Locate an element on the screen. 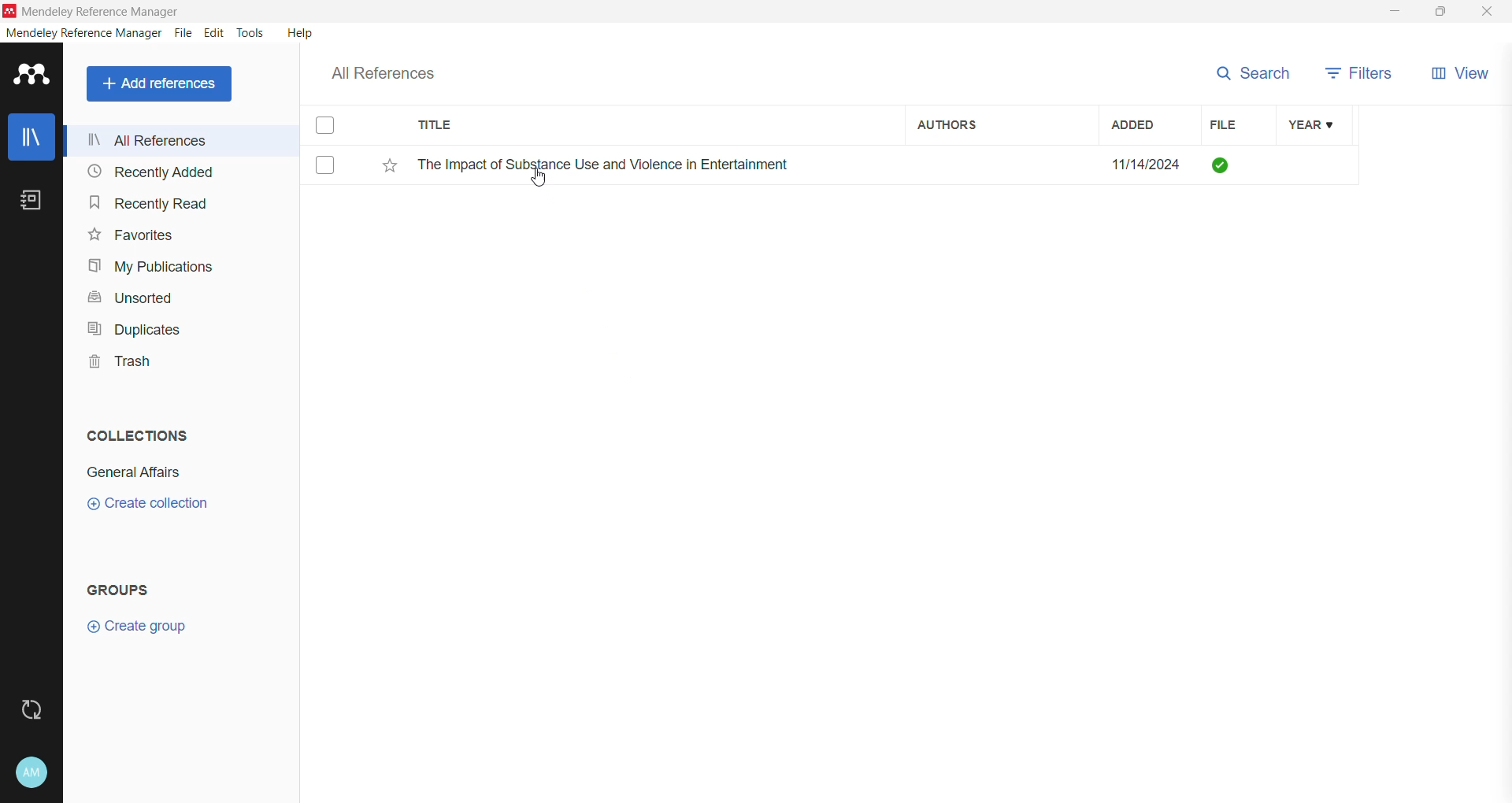  Favorites is located at coordinates (129, 235).